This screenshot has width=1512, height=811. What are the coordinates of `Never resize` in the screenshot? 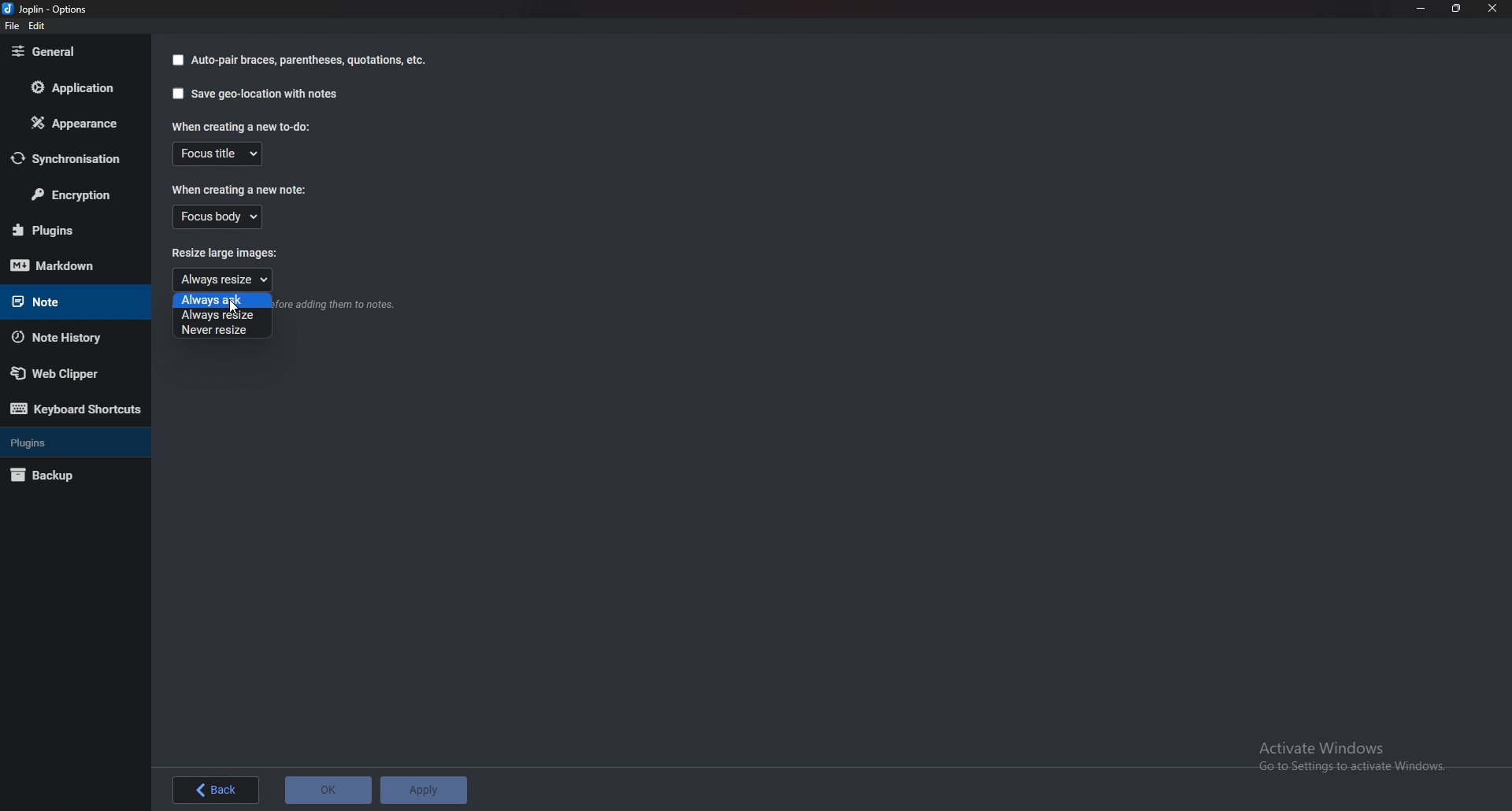 It's located at (220, 331).